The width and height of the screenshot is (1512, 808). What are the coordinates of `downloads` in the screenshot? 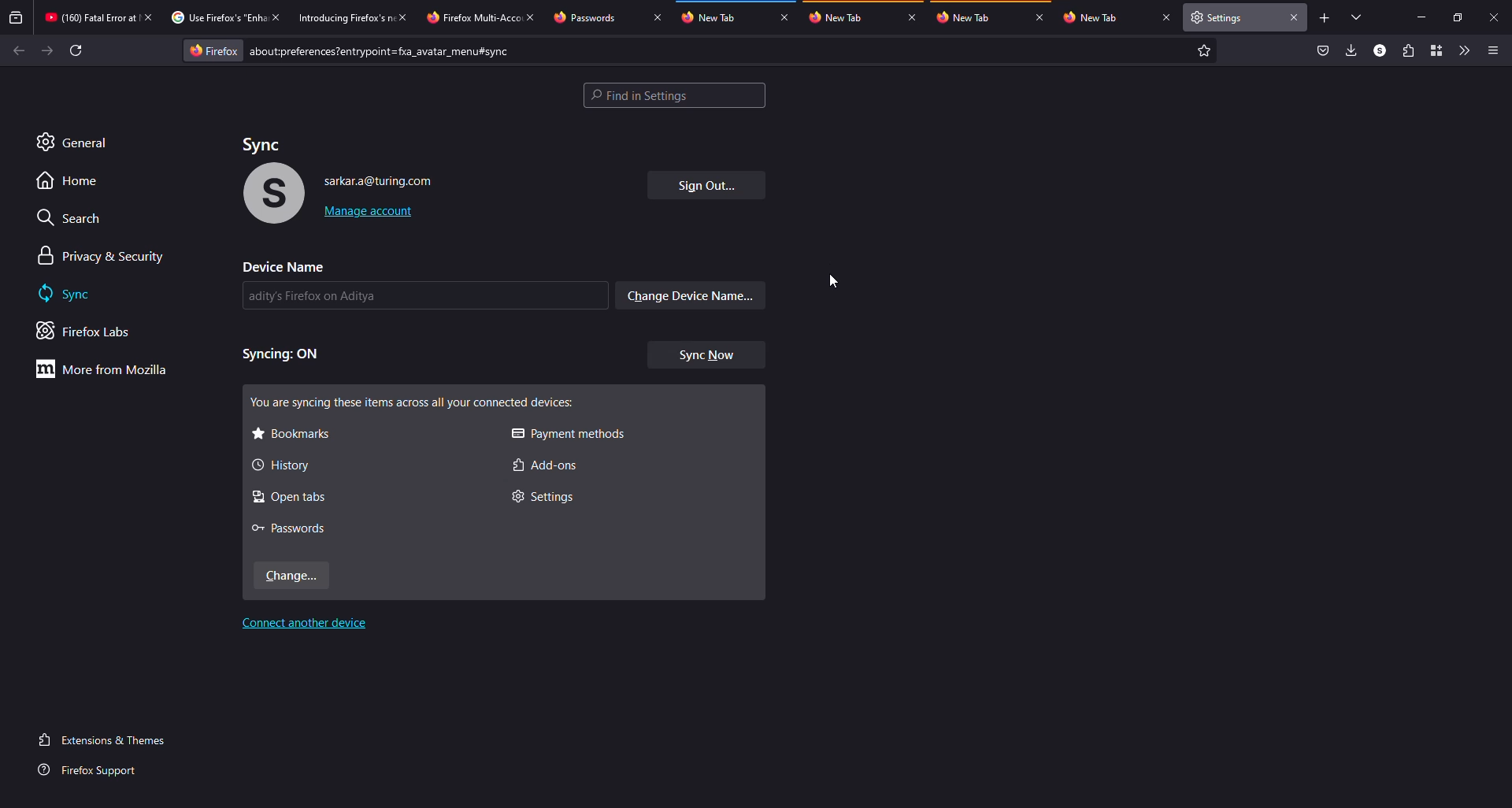 It's located at (1349, 49).